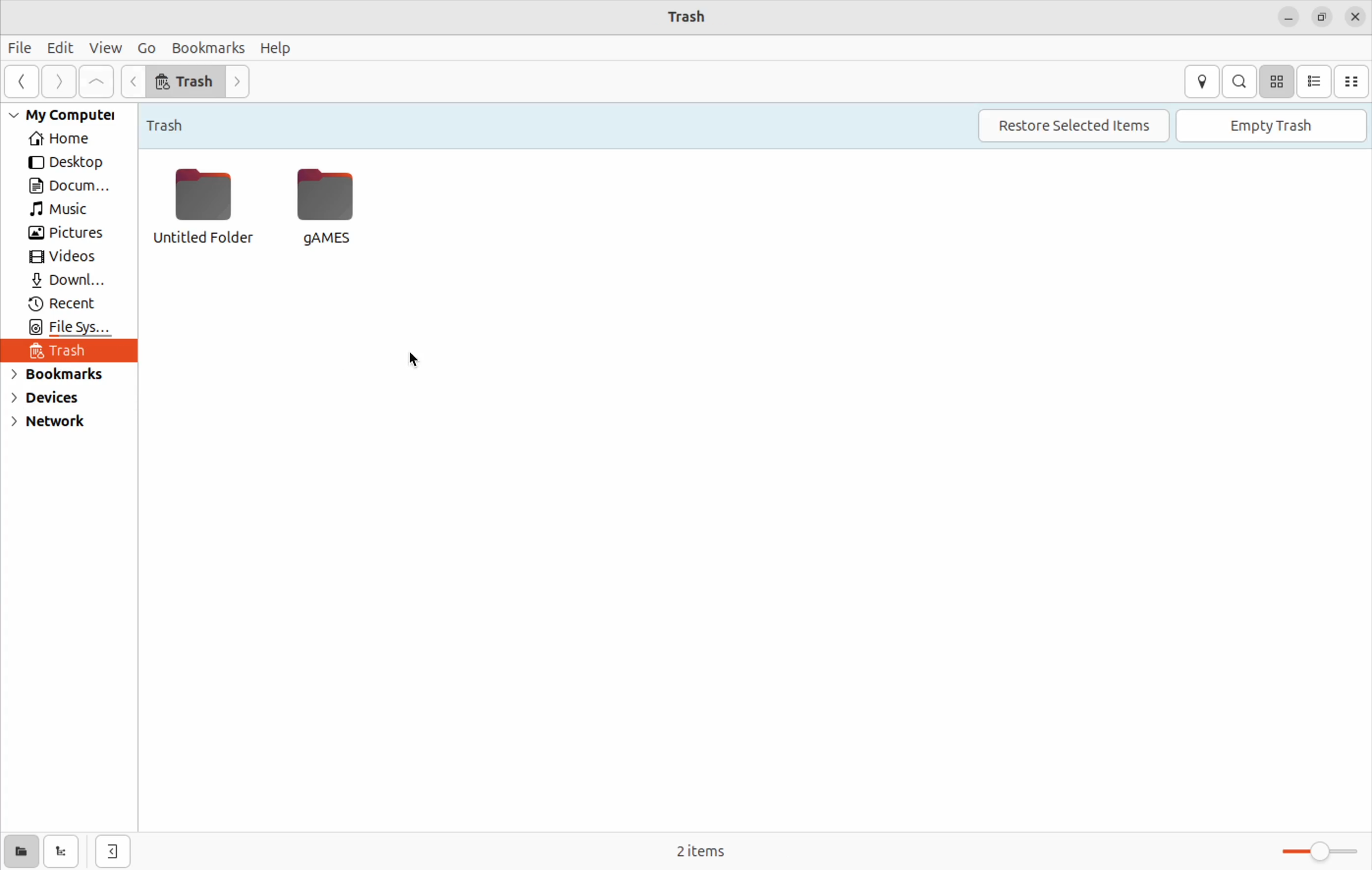  Describe the element at coordinates (67, 187) in the screenshot. I see `Document` at that location.